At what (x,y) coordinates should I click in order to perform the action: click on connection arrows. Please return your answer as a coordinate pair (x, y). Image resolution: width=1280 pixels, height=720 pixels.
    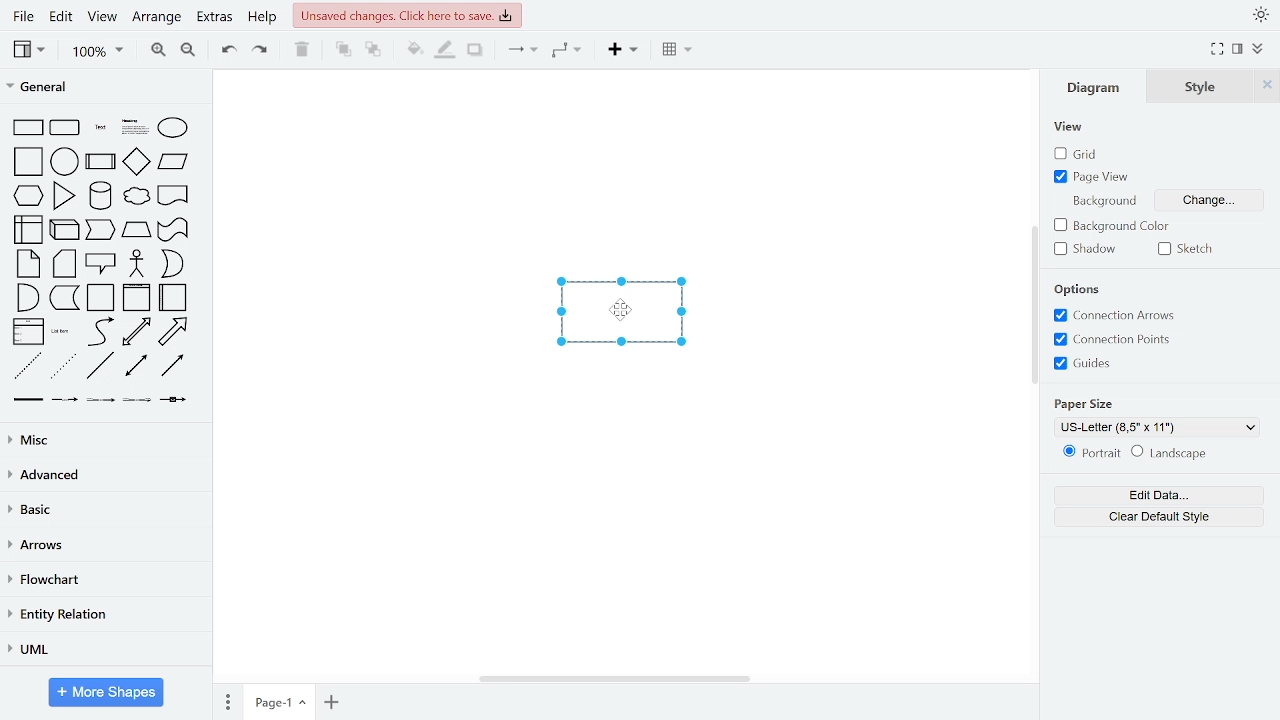
    Looking at the image, I should click on (1110, 317).